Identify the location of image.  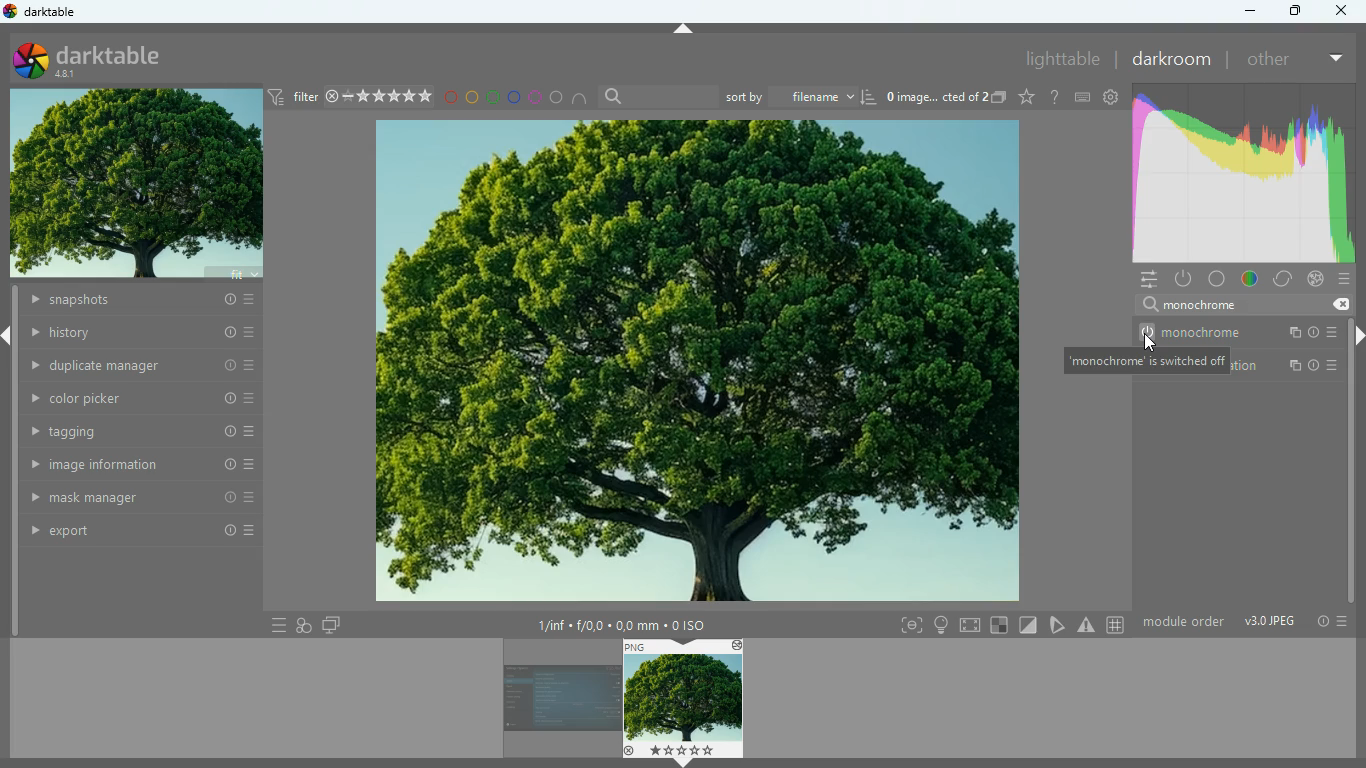
(698, 362).